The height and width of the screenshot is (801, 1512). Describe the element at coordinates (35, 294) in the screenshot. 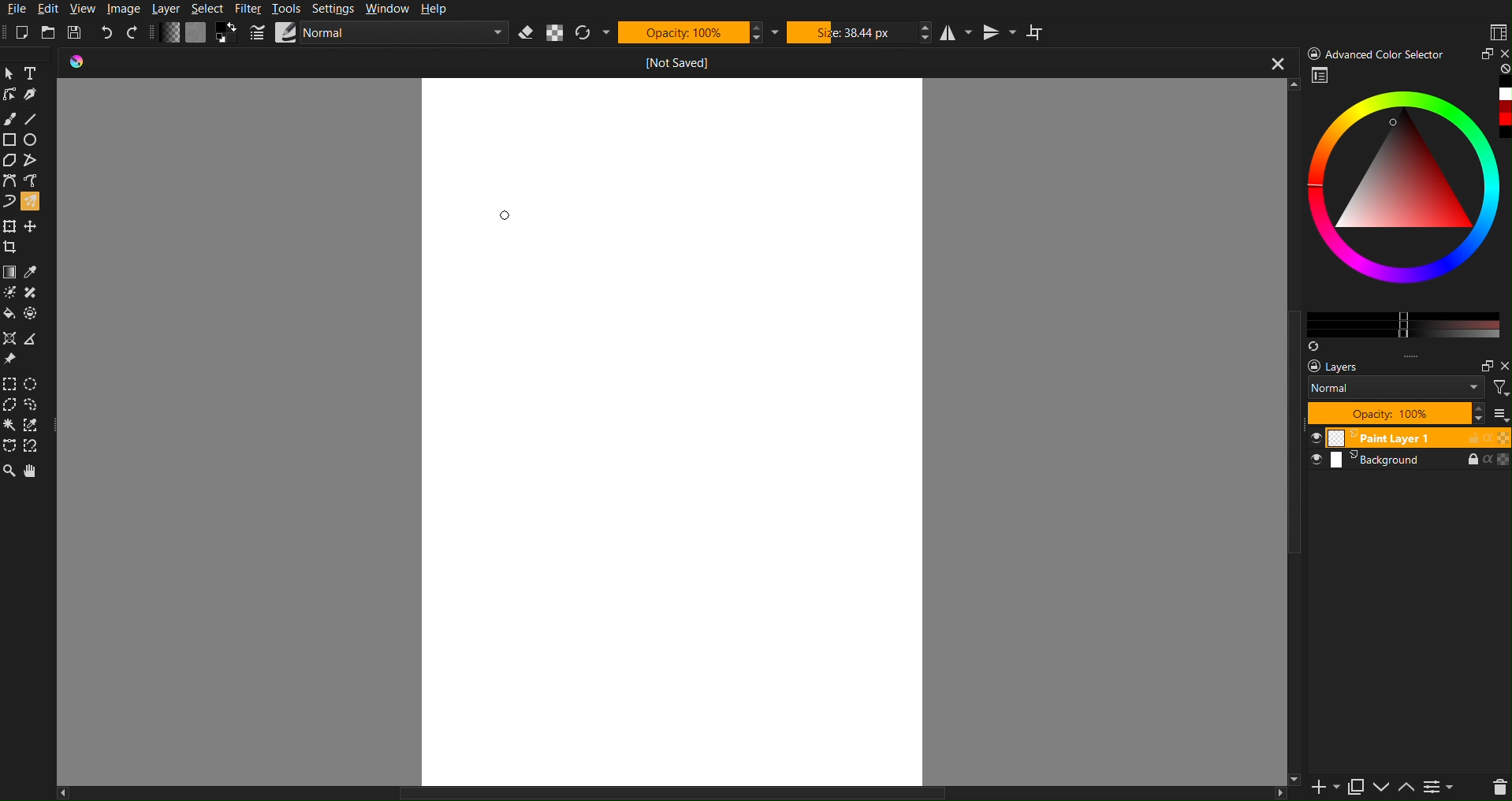

I see `Blemish fix` at that location.